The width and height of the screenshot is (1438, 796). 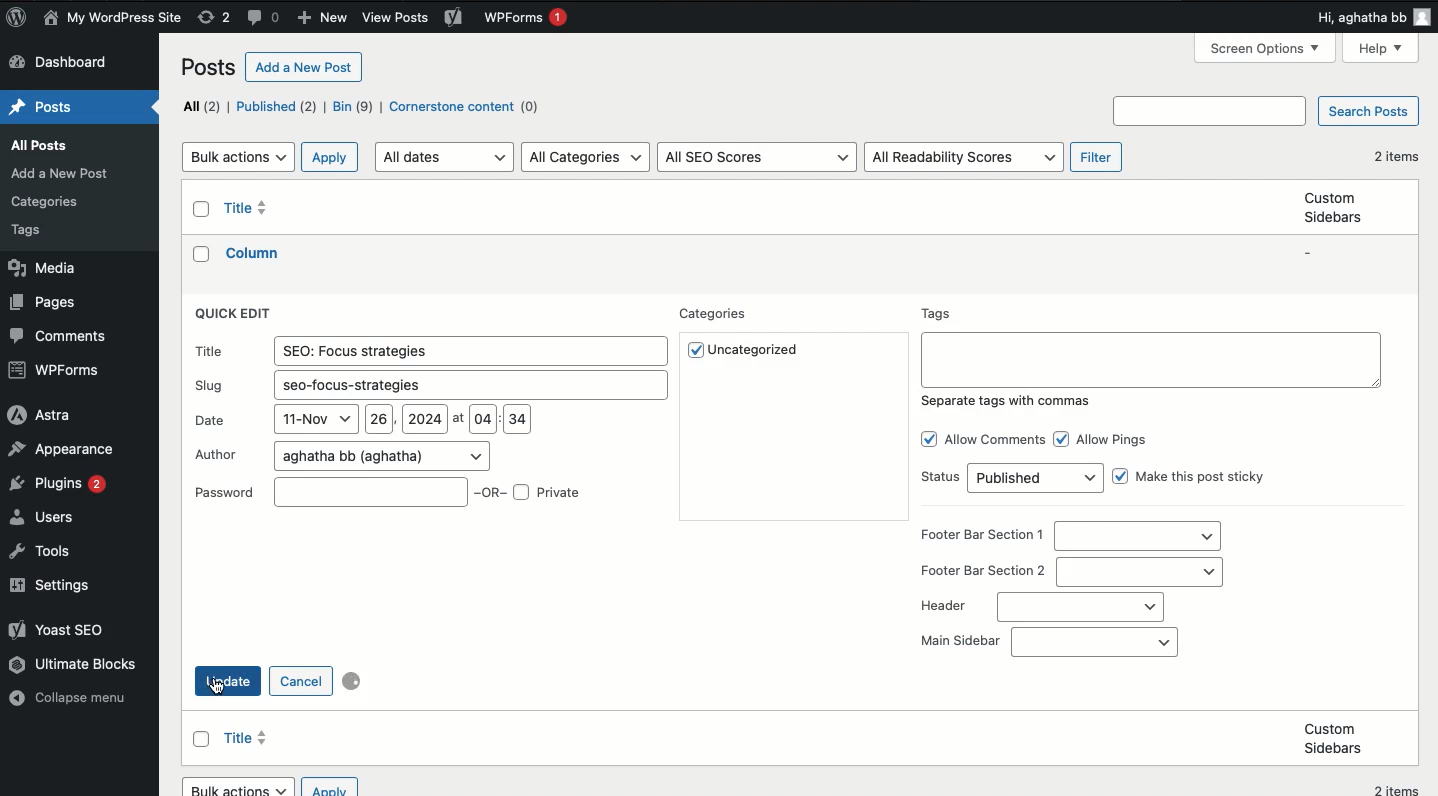 I want to click on Checkbox, so click(x=203, y=254).